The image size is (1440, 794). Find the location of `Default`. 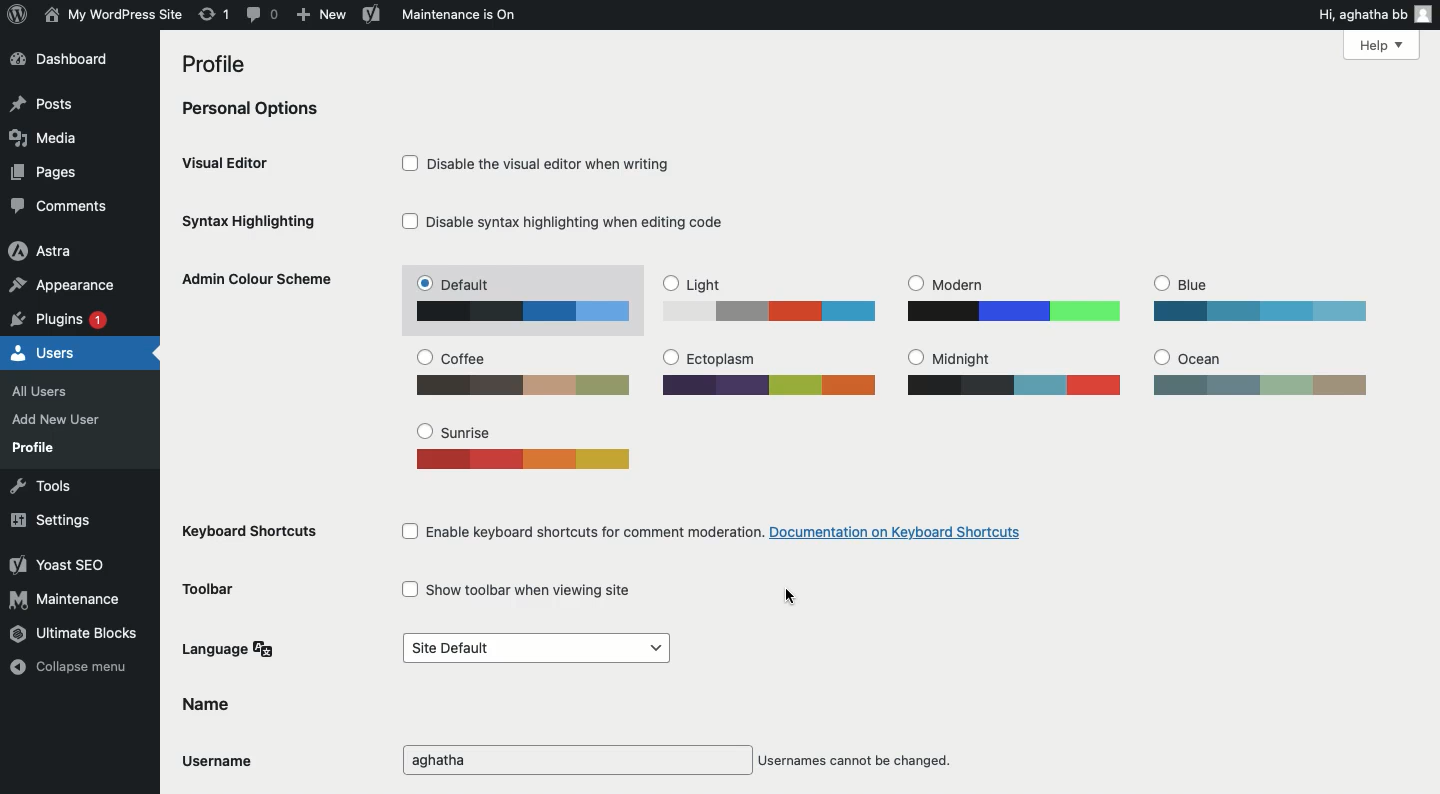

Default is located at coordinates (526, 301).